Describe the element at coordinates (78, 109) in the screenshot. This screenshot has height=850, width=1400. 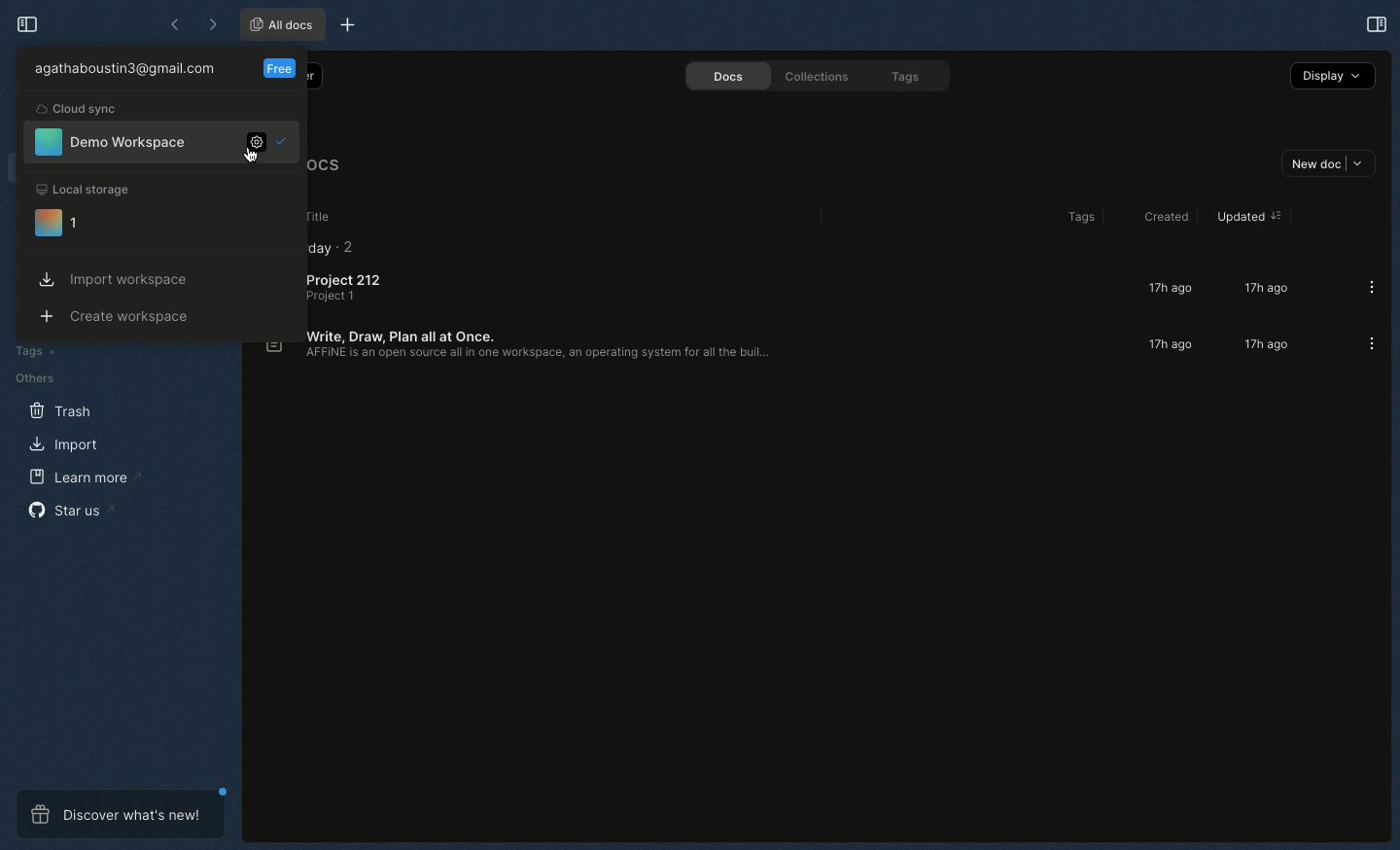
I see `Cloud sync` at that location.